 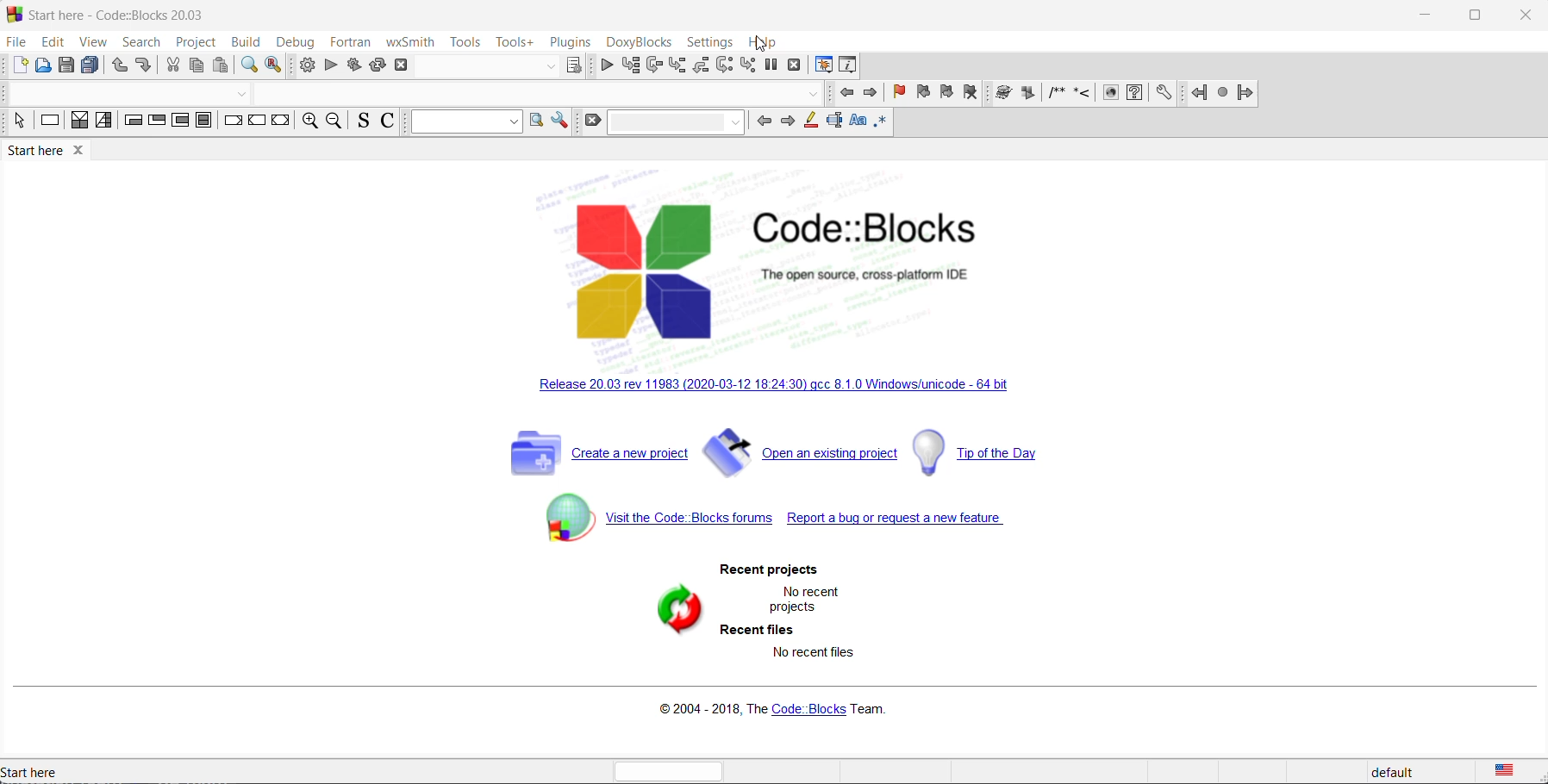 What do you see at coordinates (536, 122) in the screenshot?
I see `option window` at bounding box center [536, 122].